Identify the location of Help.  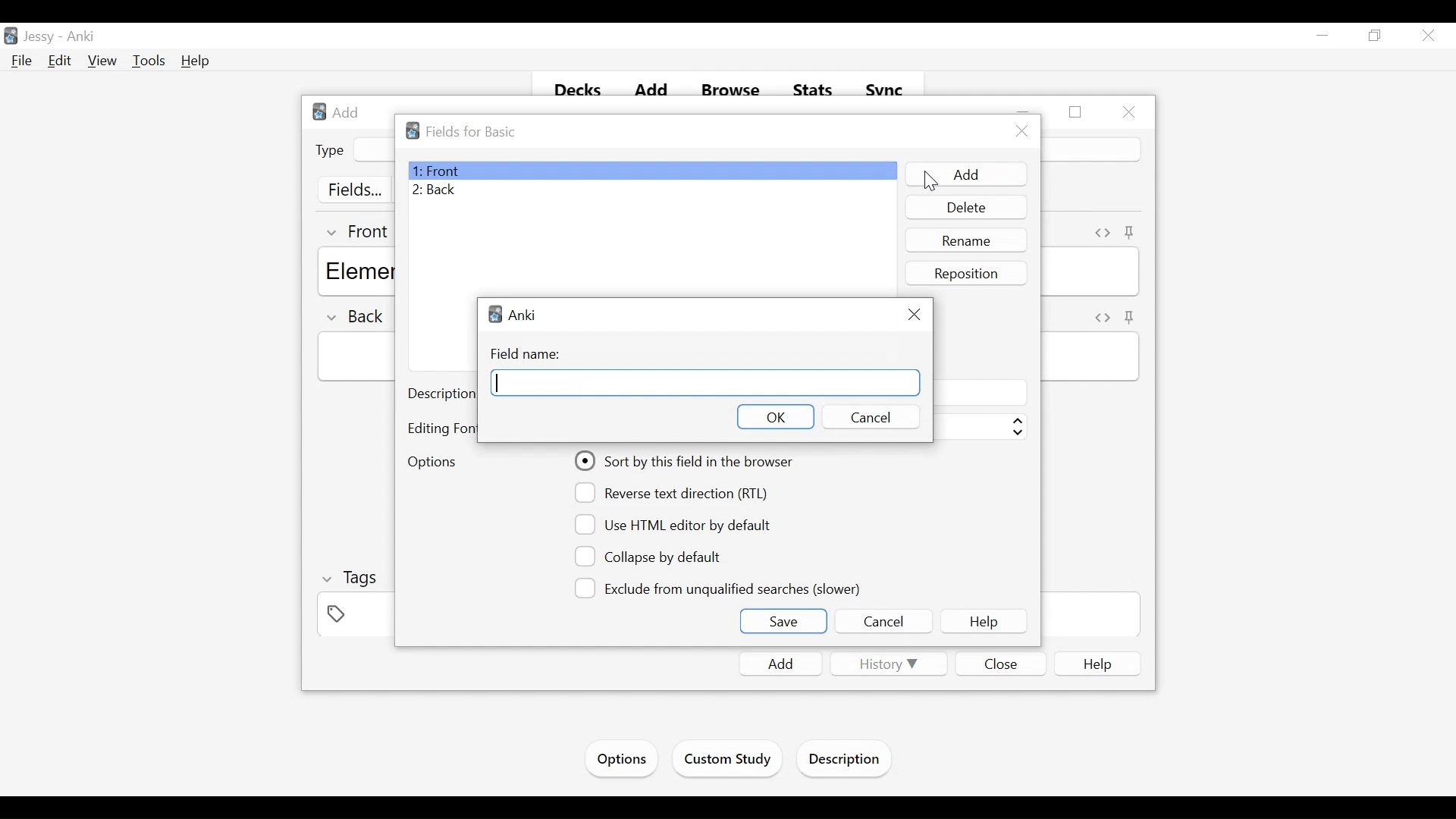
(196, 61).